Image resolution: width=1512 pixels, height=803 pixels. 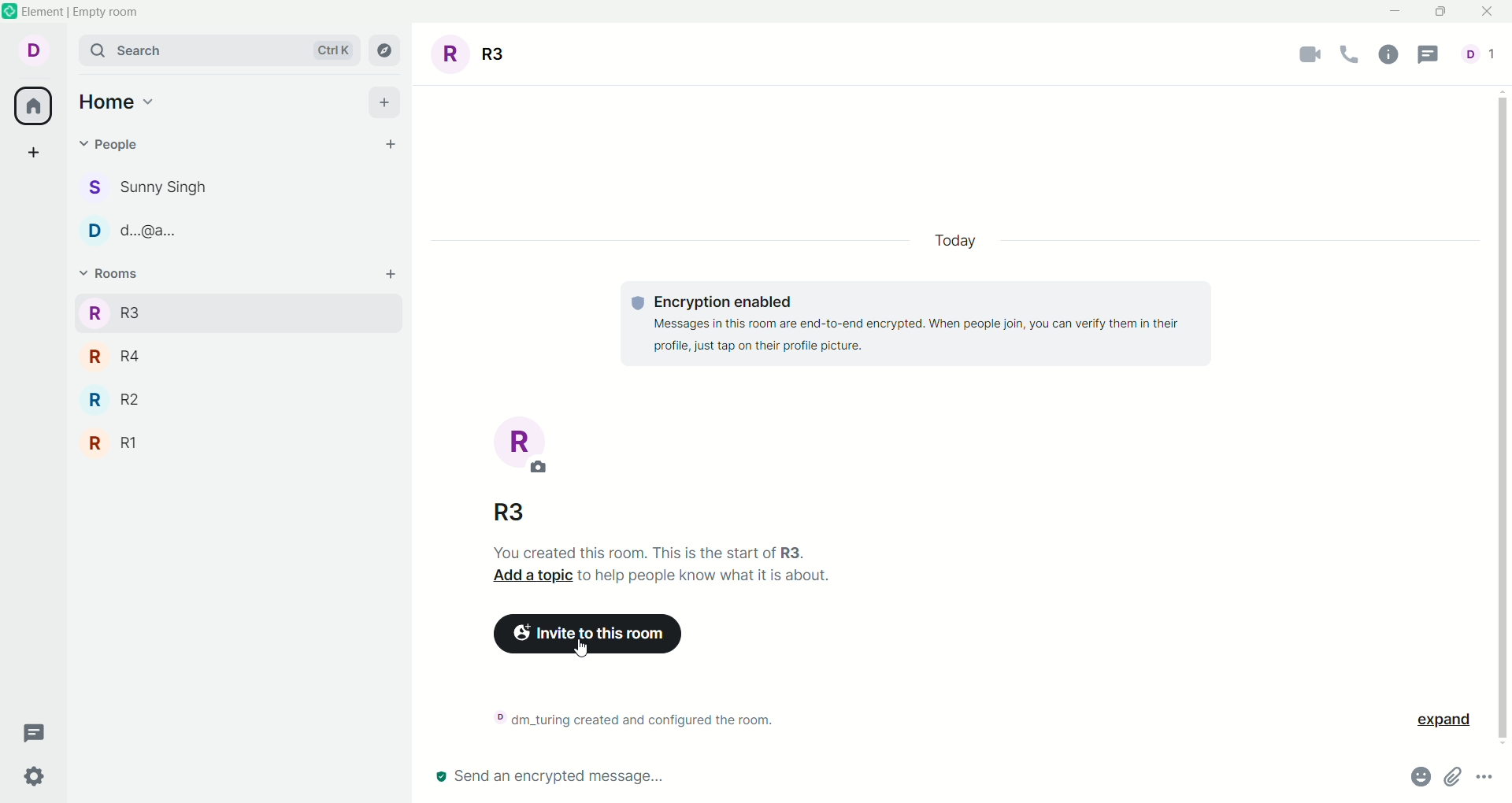 What do you see at coordinates (912, 321) in the screenshot?
I see `© Encryption enabled
Messages in this room are end-to-end encrypted. When people join, you can verify them in their
profile, just tap on their profile picture.` at bounding box center [912, 321].